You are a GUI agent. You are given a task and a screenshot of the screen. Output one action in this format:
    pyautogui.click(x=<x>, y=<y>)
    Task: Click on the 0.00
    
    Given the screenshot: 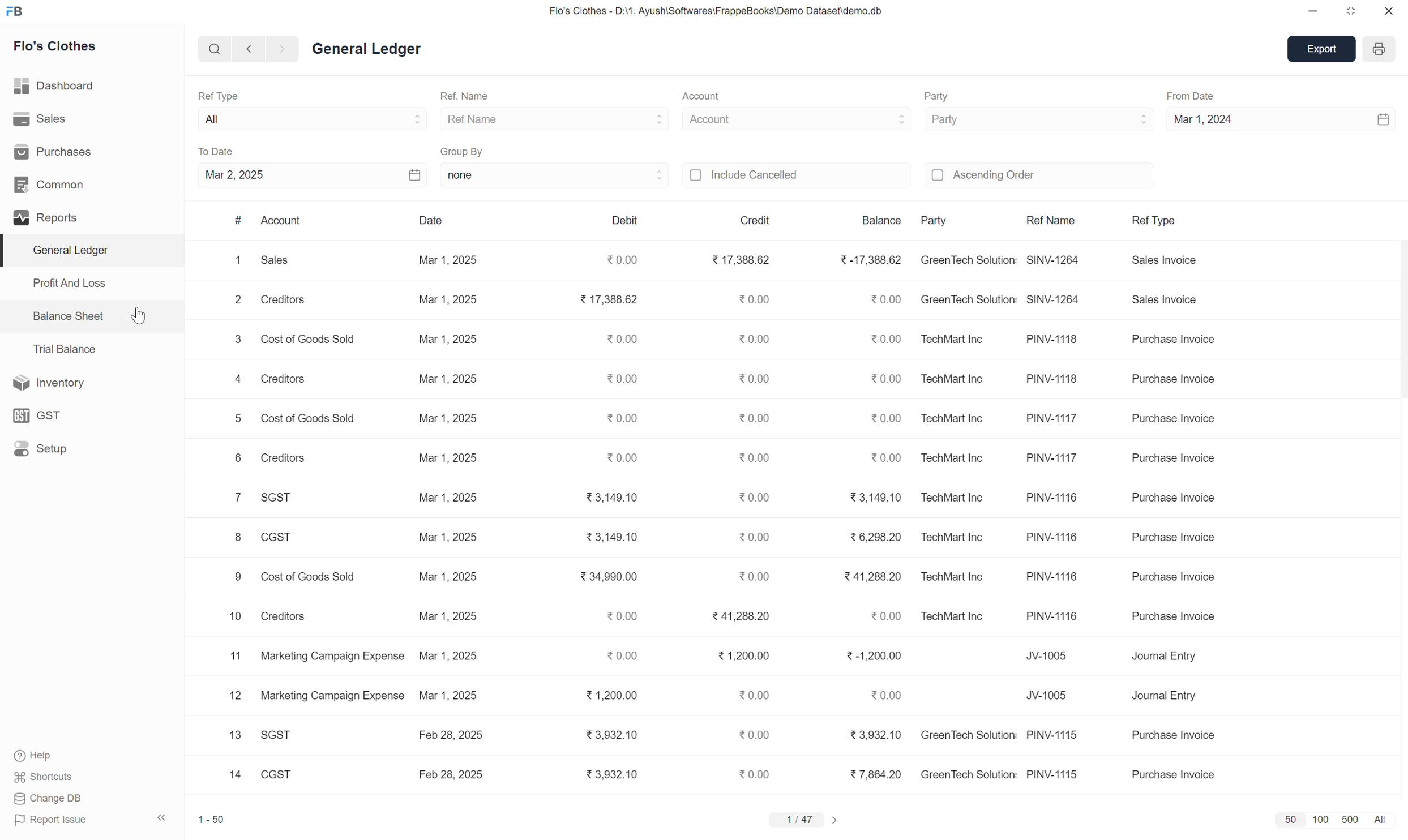 What is the action you would take?
    pyautogui.click(x=623, y=615)
    